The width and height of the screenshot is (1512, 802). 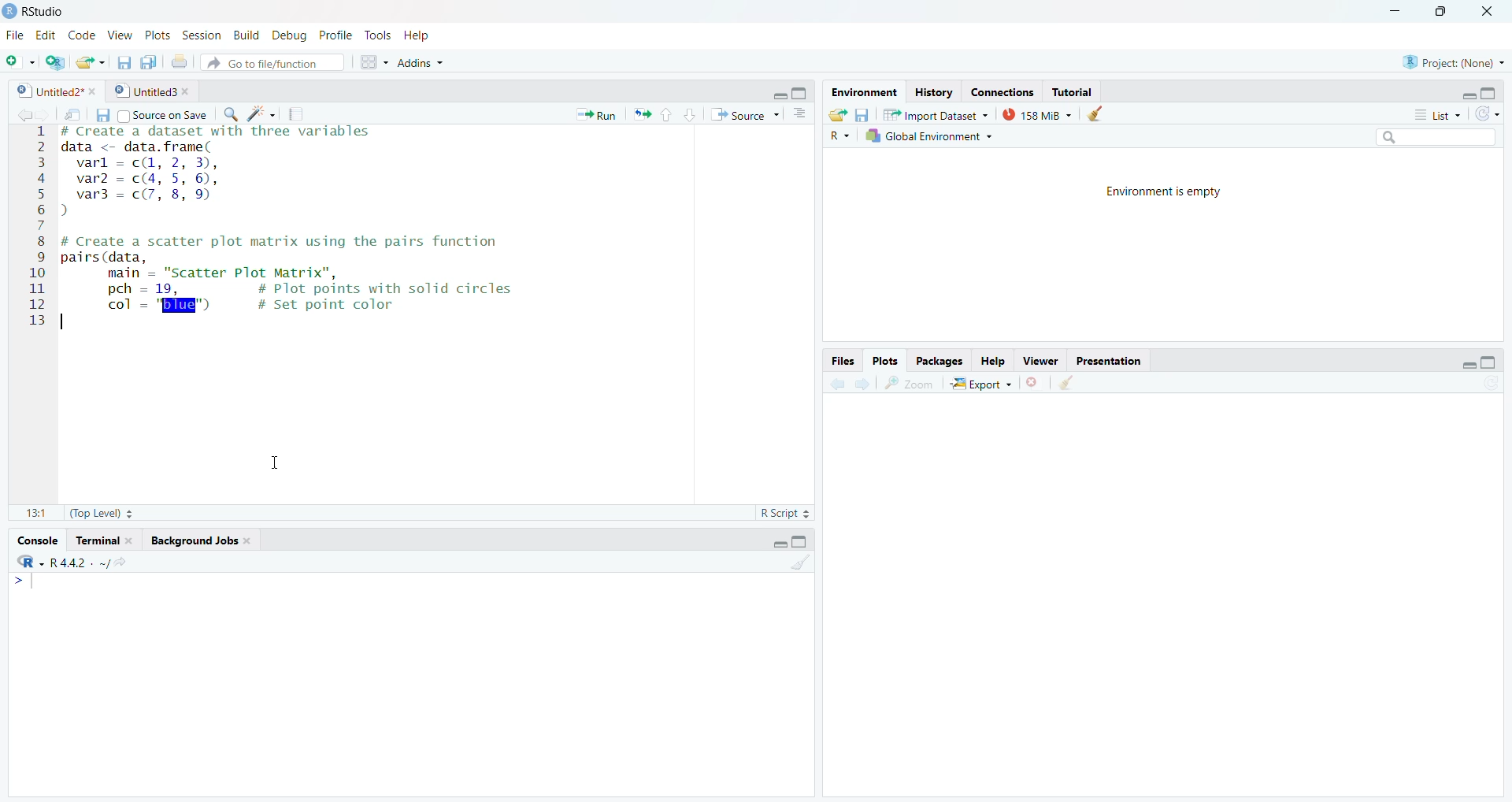 I want to click on Minimize/Maximize, so click(x=793, y=91).